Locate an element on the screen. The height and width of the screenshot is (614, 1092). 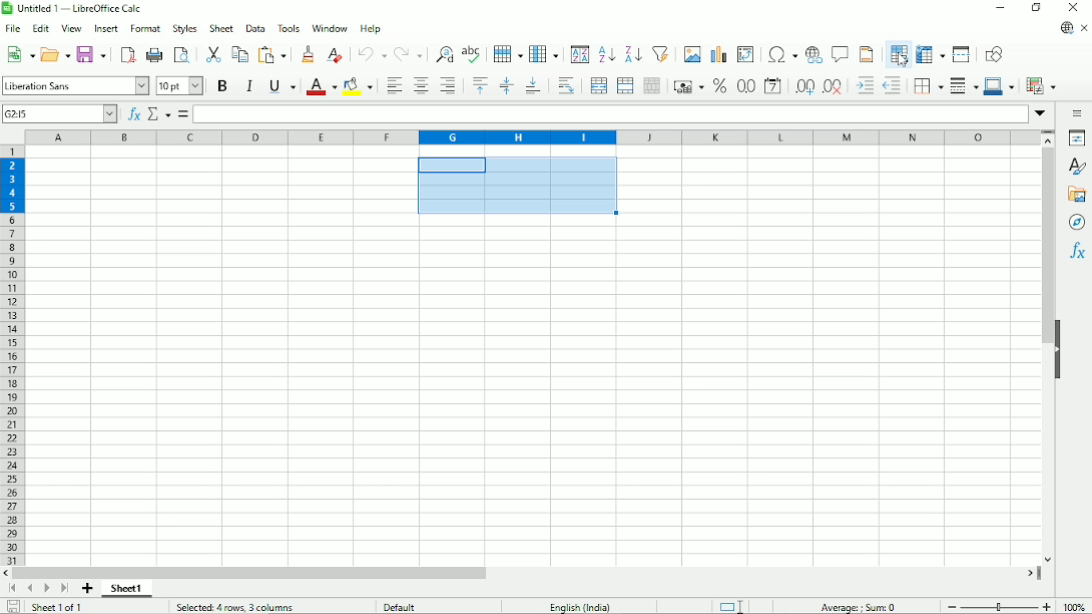
Sheet 1 of 1 is located at coordinates (59, 607).